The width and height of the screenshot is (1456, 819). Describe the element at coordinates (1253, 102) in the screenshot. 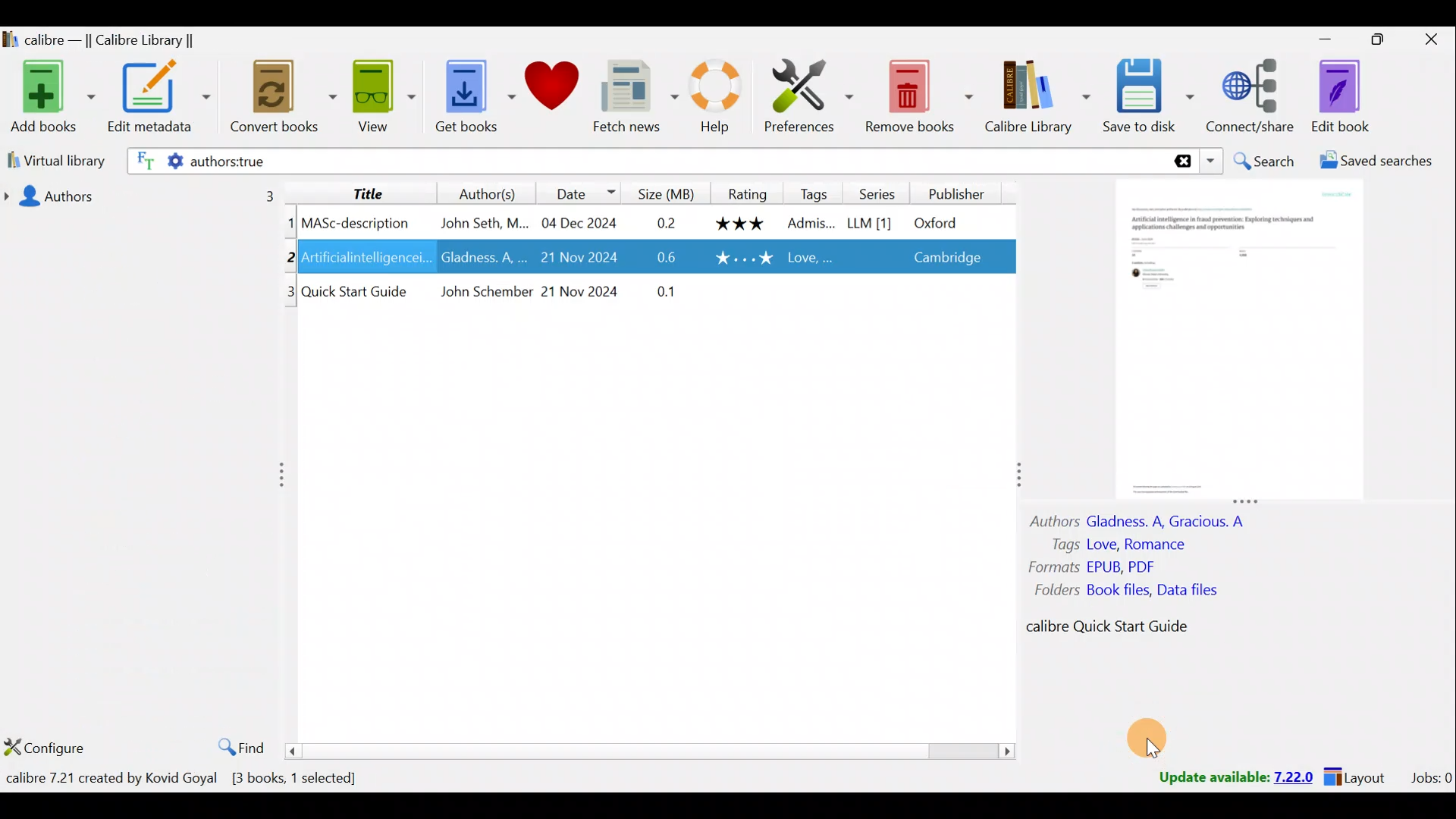

I see `Connect/Share` at that location.